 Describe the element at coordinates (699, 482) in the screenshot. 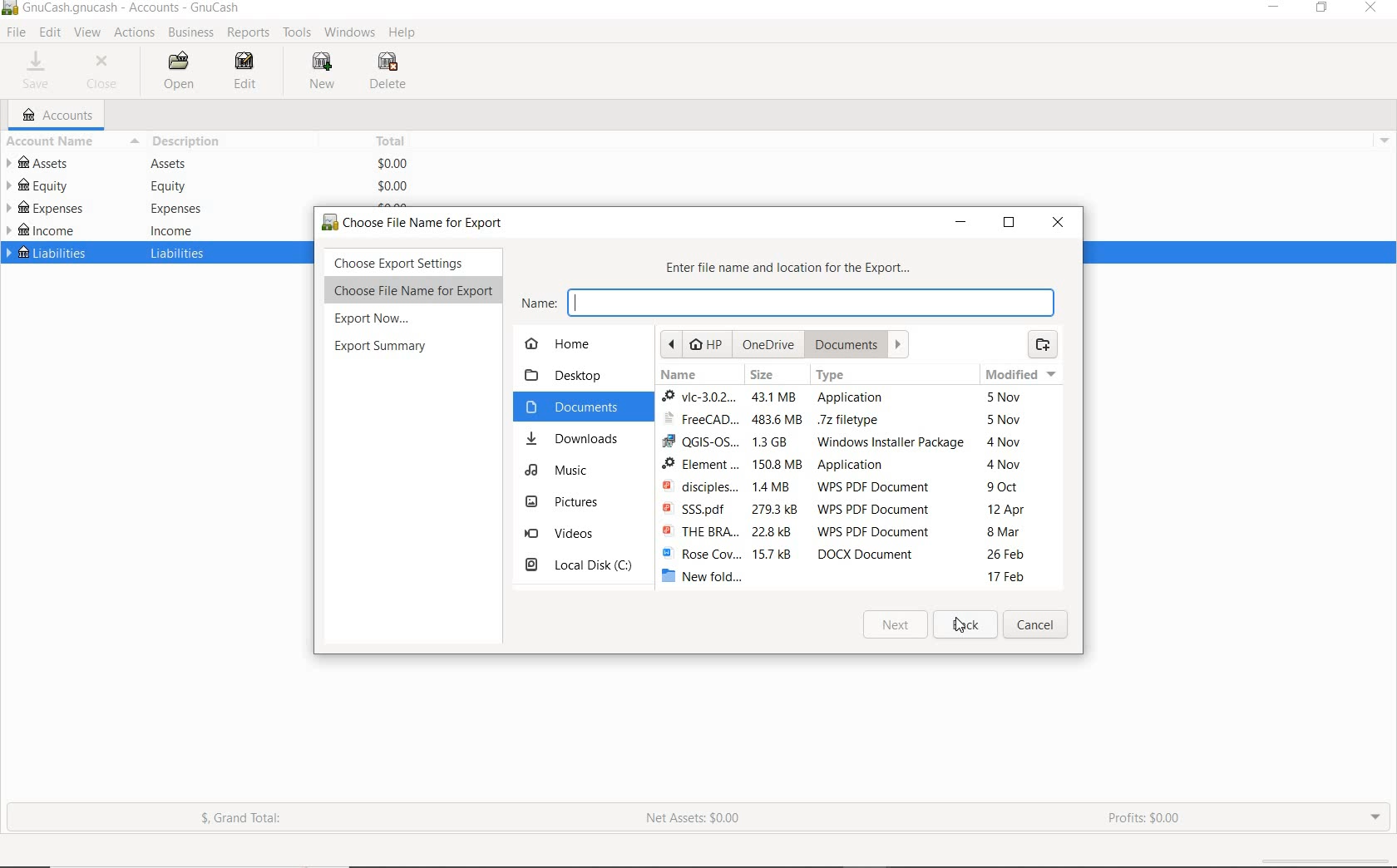

I see `file names` at that location.